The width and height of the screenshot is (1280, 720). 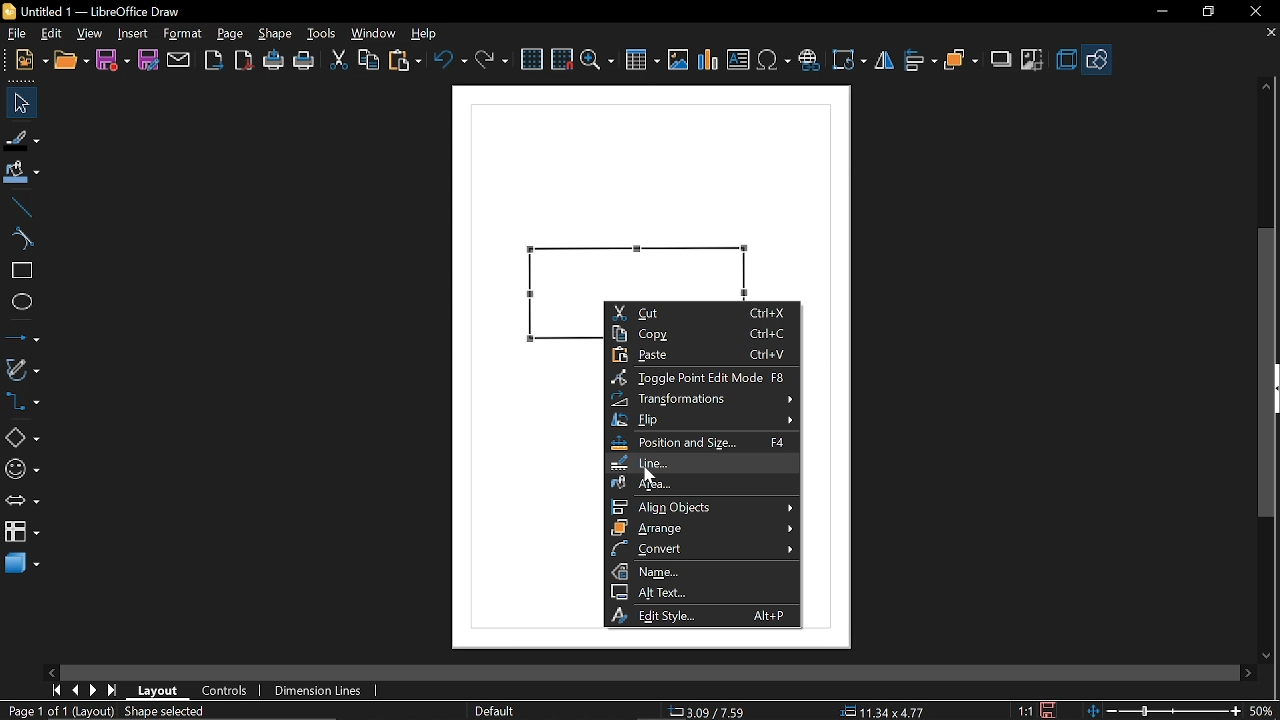 I want to click on Current diagram, so click(x=654, y=188).